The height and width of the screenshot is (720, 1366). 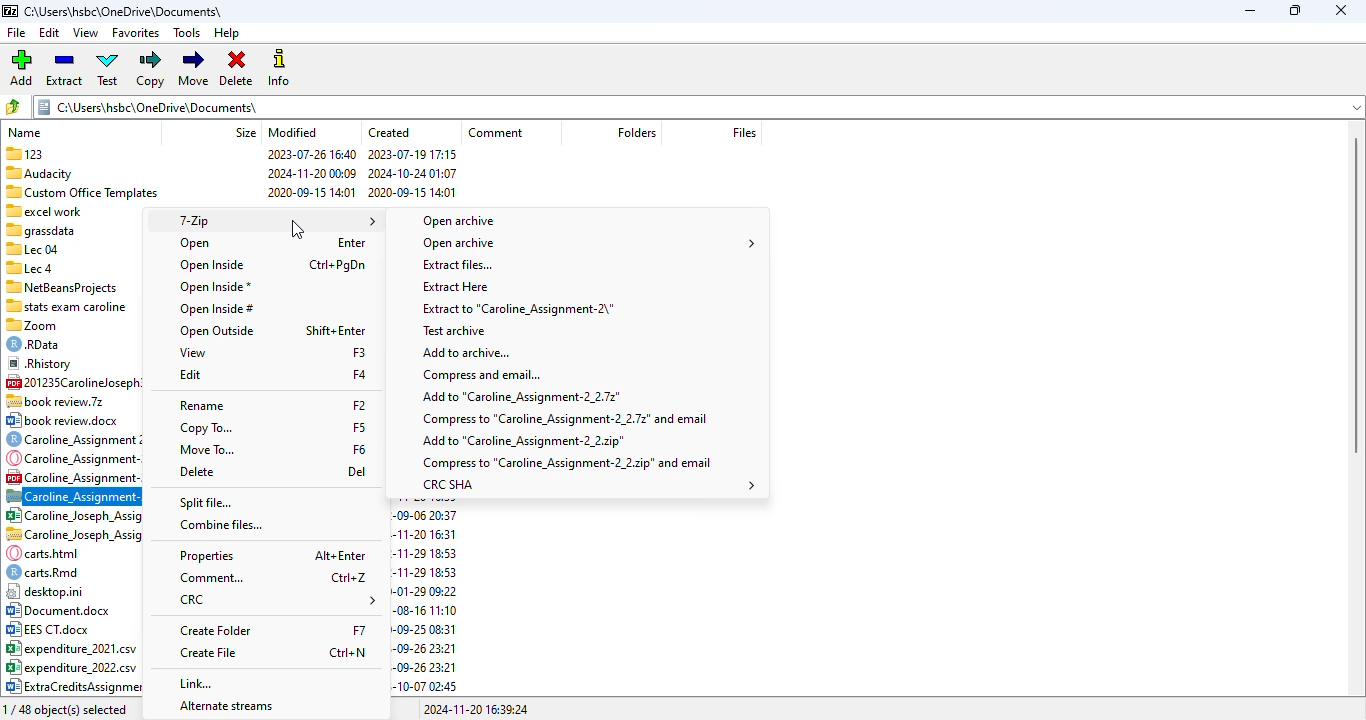 What do you see at coordinates (563, 419) in the screenshot?
I see `compress to .7z file and email` at bounding box center [563, 419].